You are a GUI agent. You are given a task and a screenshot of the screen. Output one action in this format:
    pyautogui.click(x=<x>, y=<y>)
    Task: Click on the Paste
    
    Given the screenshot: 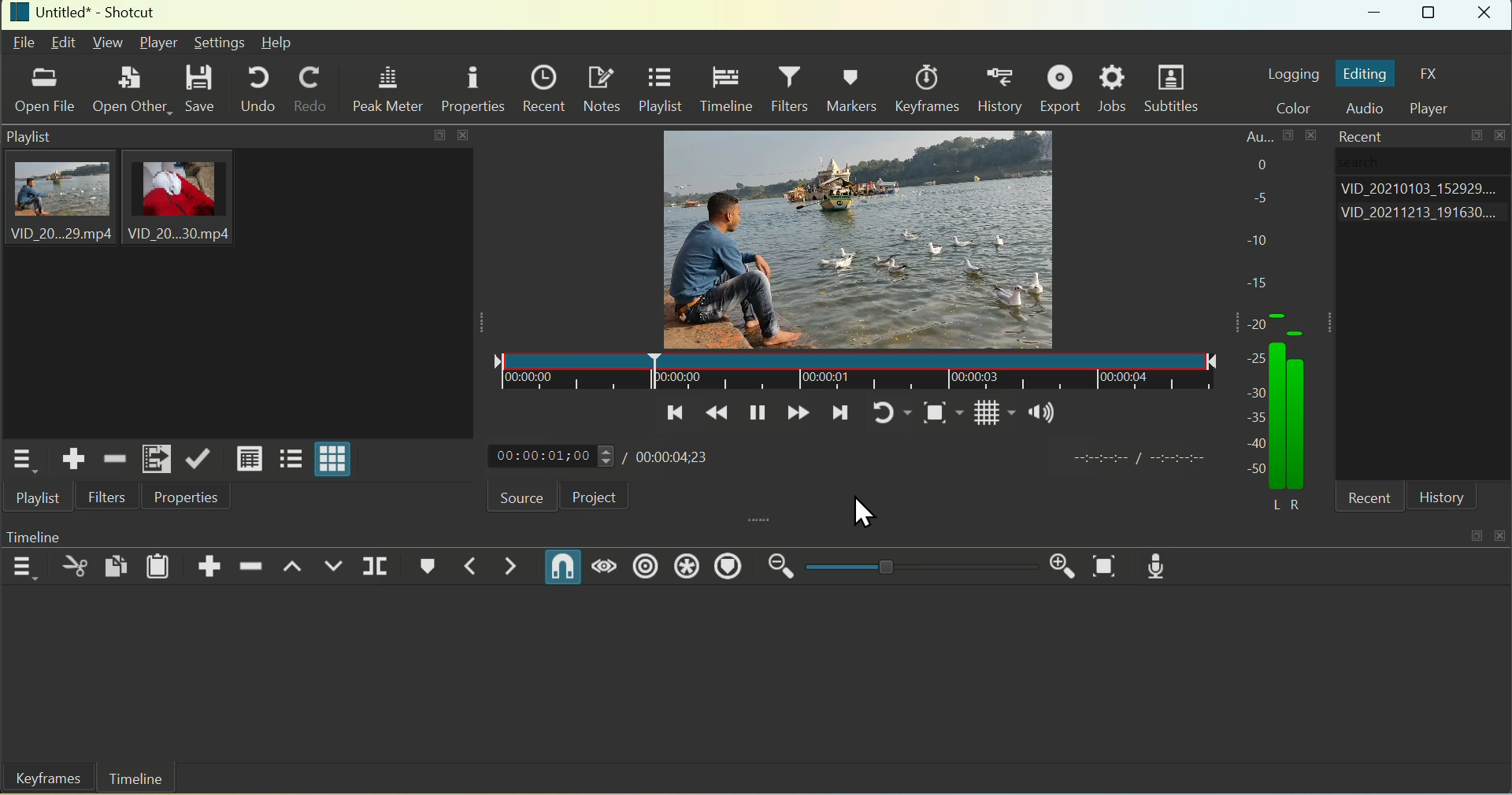 What is the action you would take?
    pyautogui.click(x=159, y=565)
    